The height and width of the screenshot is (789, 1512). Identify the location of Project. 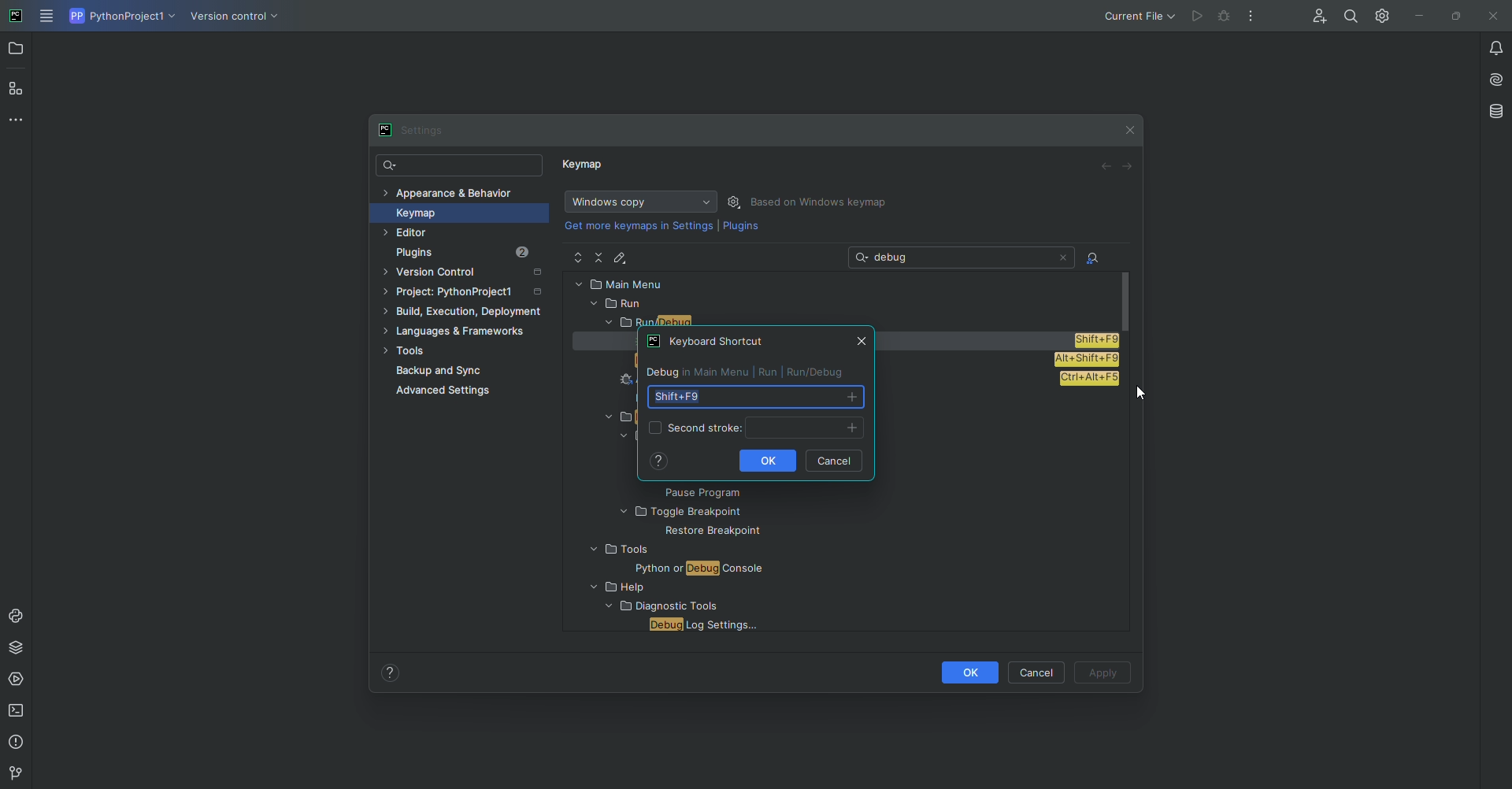
(17, 50).